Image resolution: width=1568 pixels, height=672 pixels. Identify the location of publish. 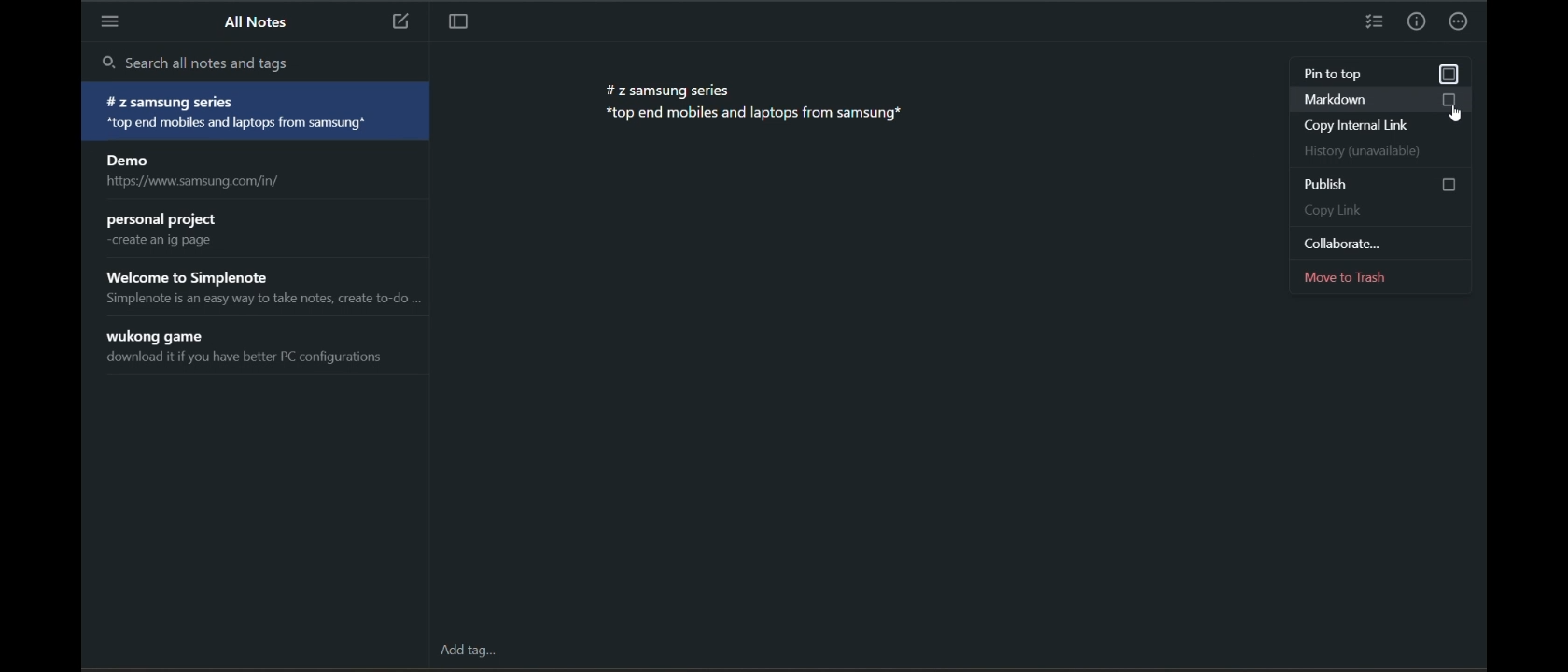
(1379, 185).